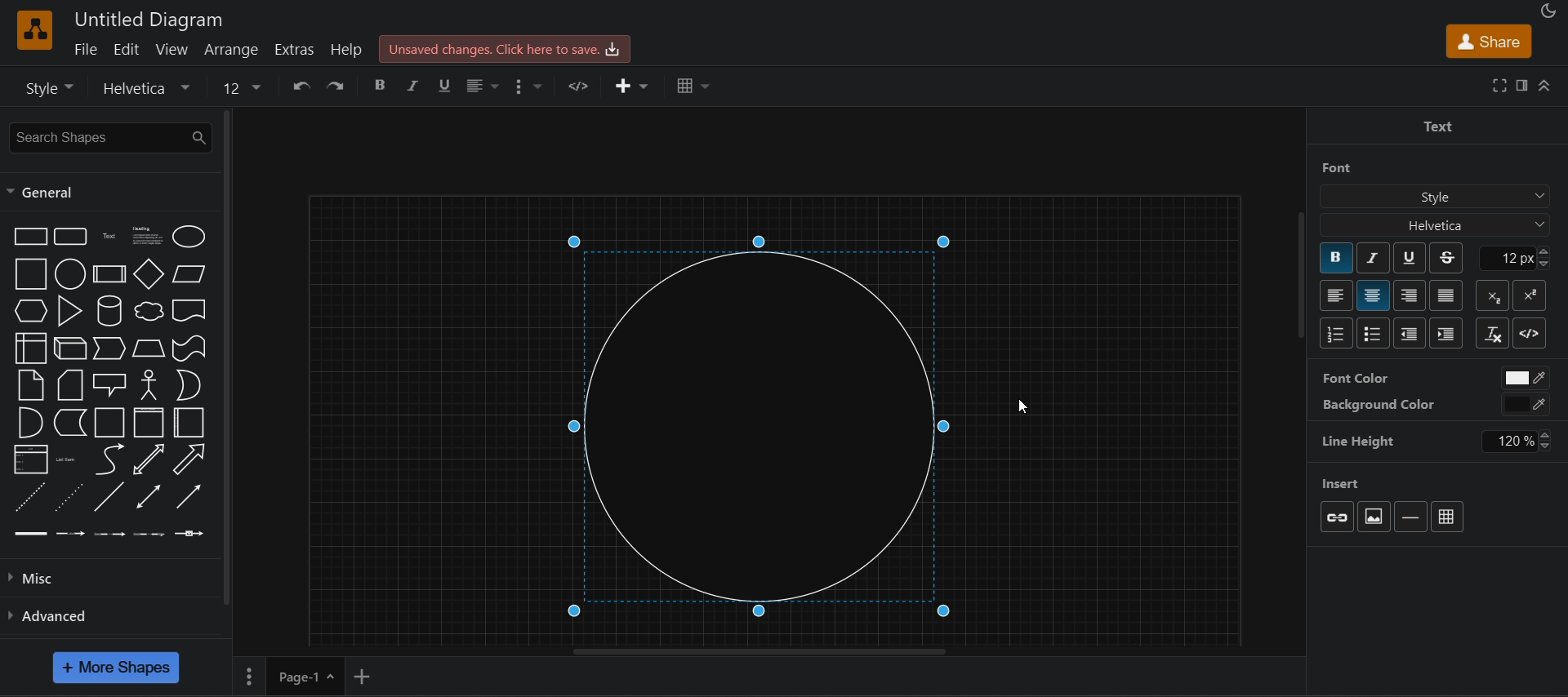  What do you see at coordinates (151, 387) in the screenshot?
I see `actor` at bounding box center [151, 387].